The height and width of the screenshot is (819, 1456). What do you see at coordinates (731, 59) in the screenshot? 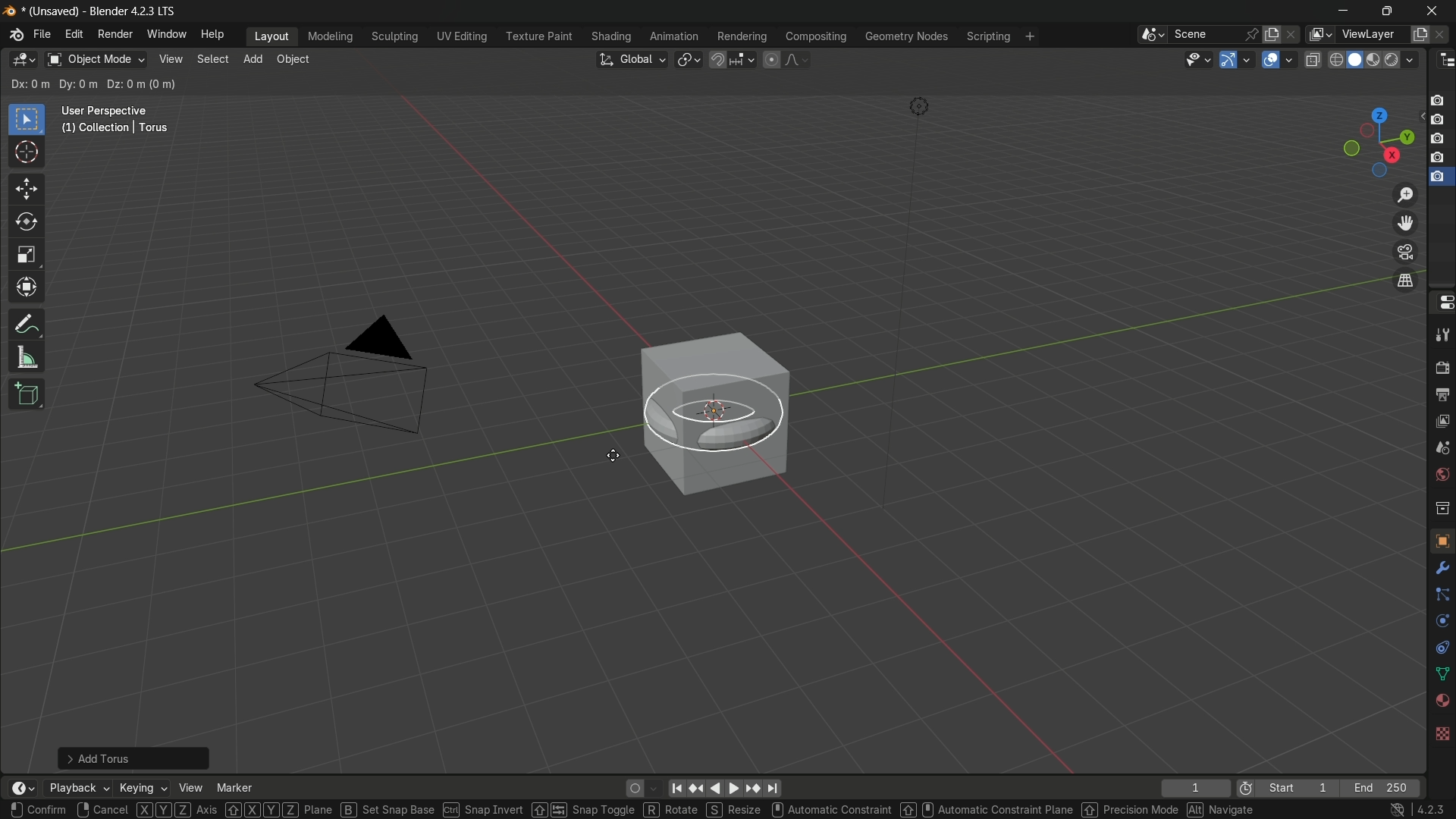
I see `snap` at bounding box center [731, 59].